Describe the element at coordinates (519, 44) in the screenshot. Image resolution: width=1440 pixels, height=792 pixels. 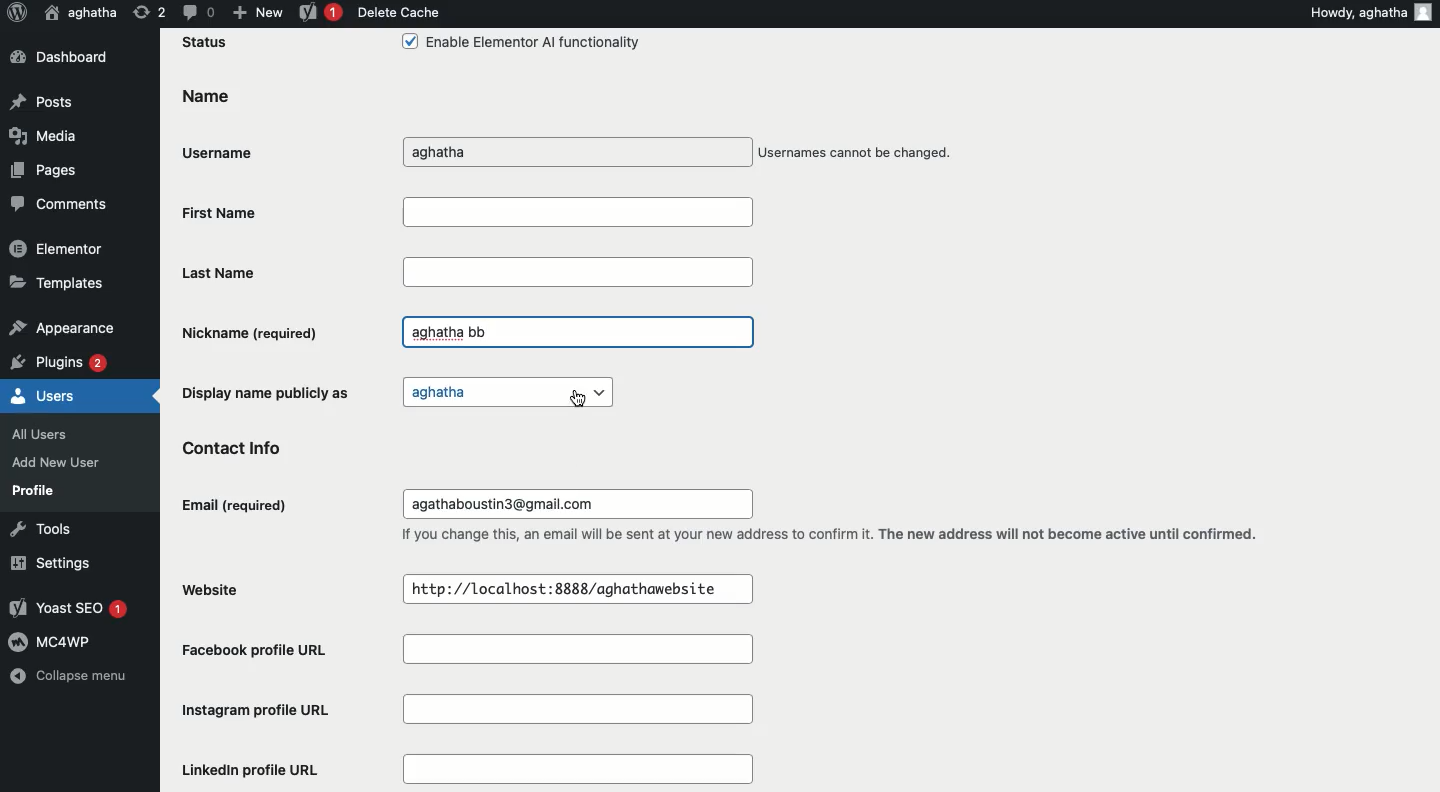
I see `Enable Elementor Al functionality` at that location.